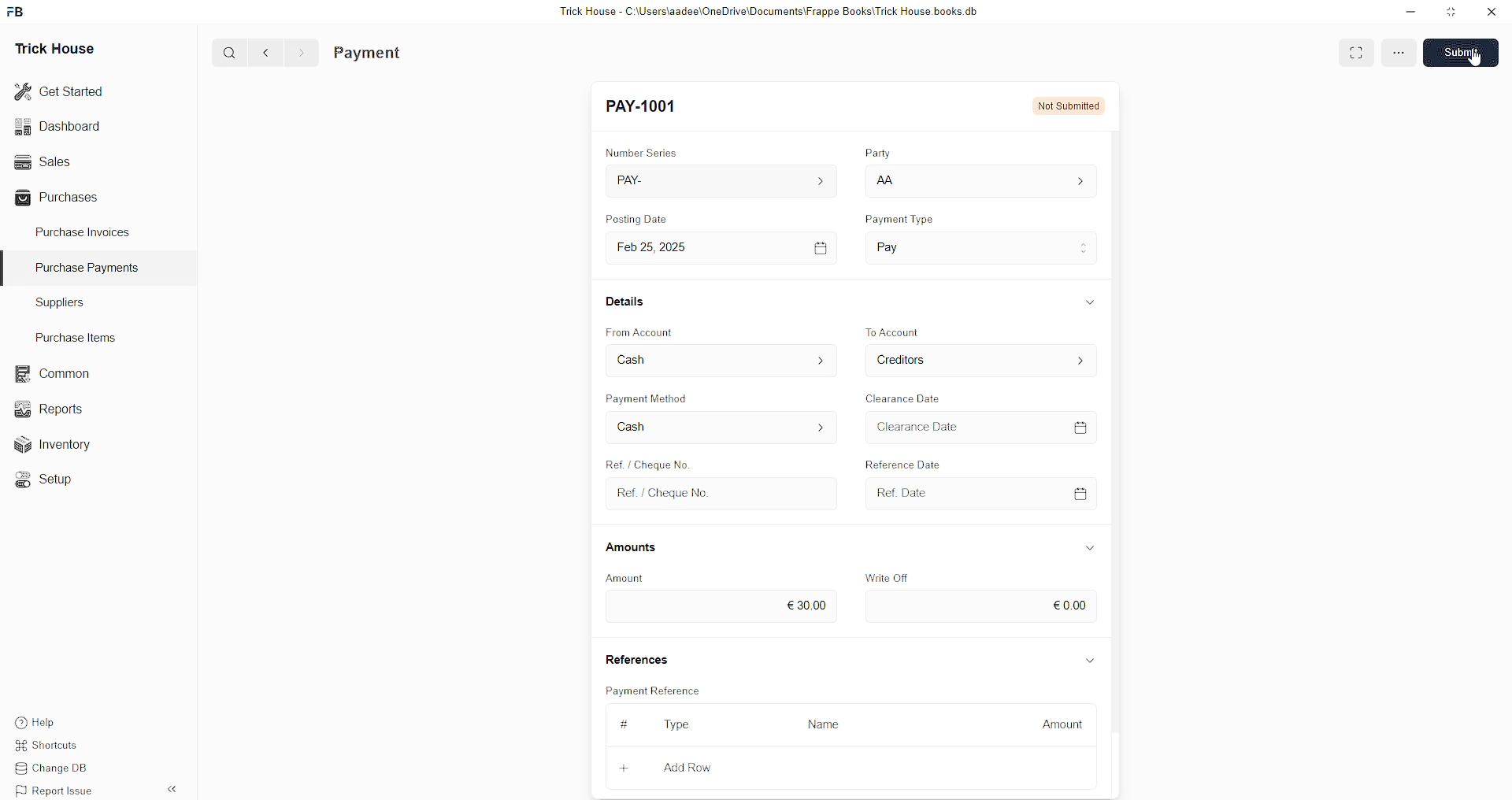 This screenshot has height=800, width=1512. What do you see at coordinates (905, 576) in the screenshot?
I see `Write Off` at bounding box center [905, 576].